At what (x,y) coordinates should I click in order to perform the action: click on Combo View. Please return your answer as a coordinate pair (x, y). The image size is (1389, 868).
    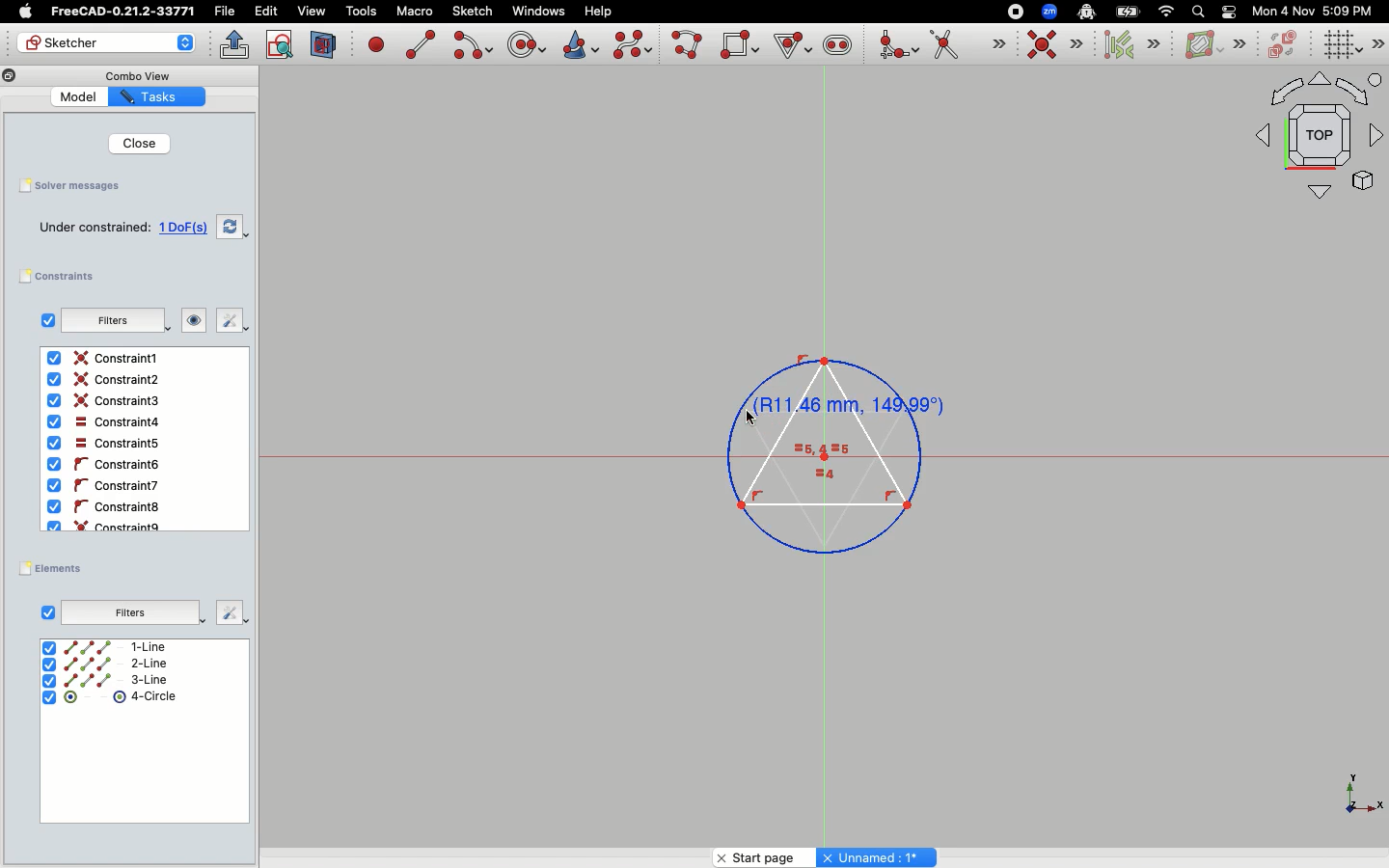
    Looking at the image, I should click on (137, 75).